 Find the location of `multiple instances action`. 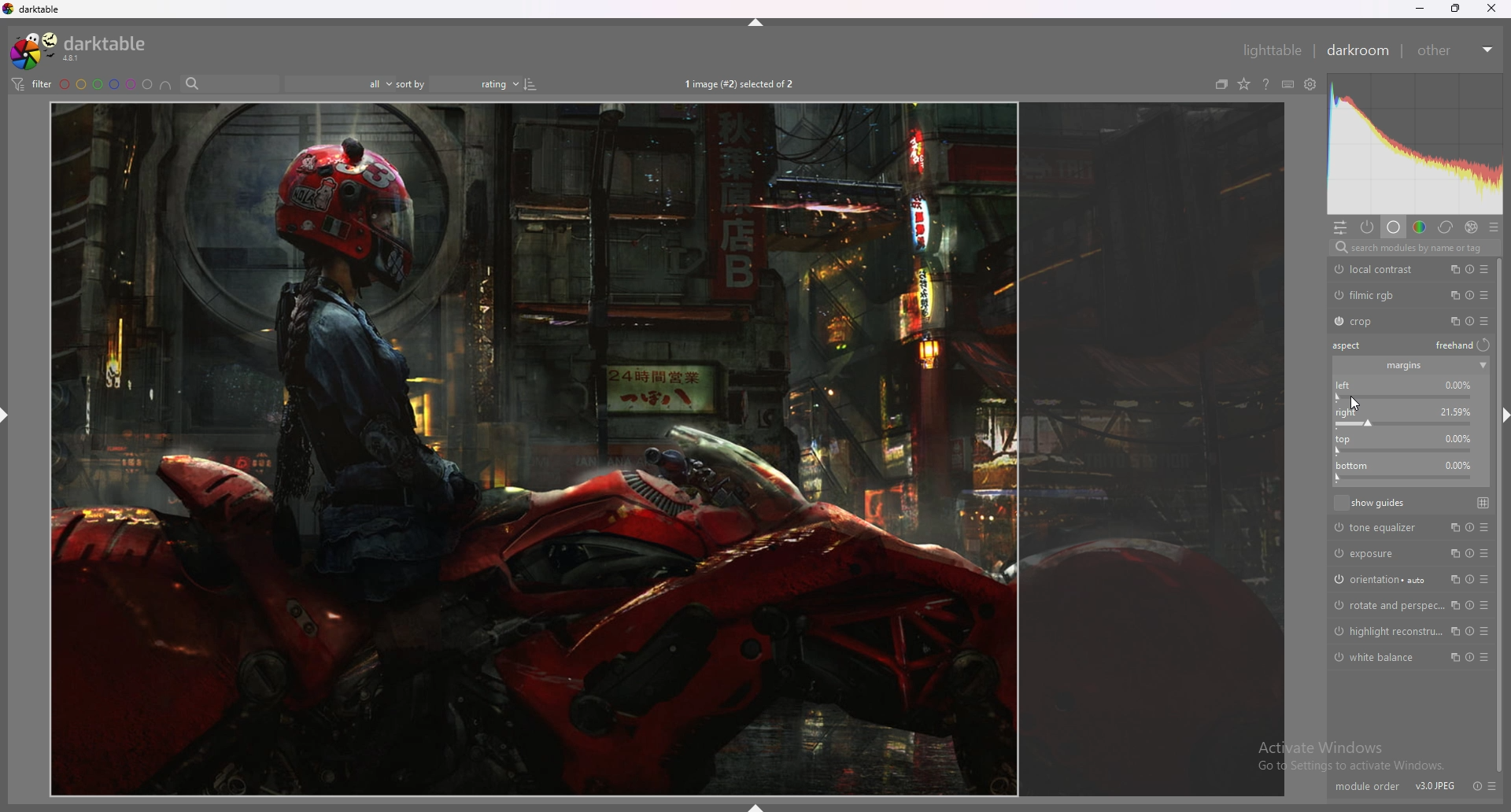

multiple instances action is located at coordinates (1452, 295).